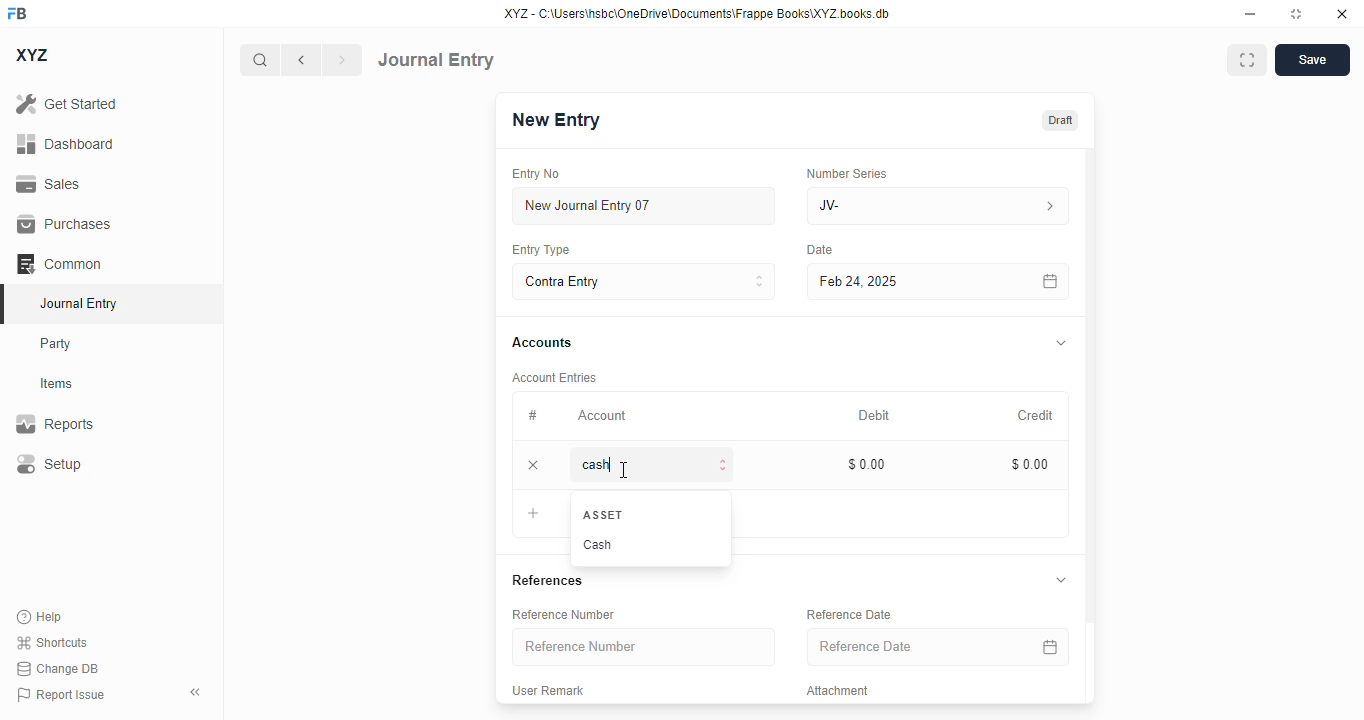 The width and height of the screenshot is (1364, 720). Describe the element at coordinates (602, 416) in the screenshot. I see `account` at that location.